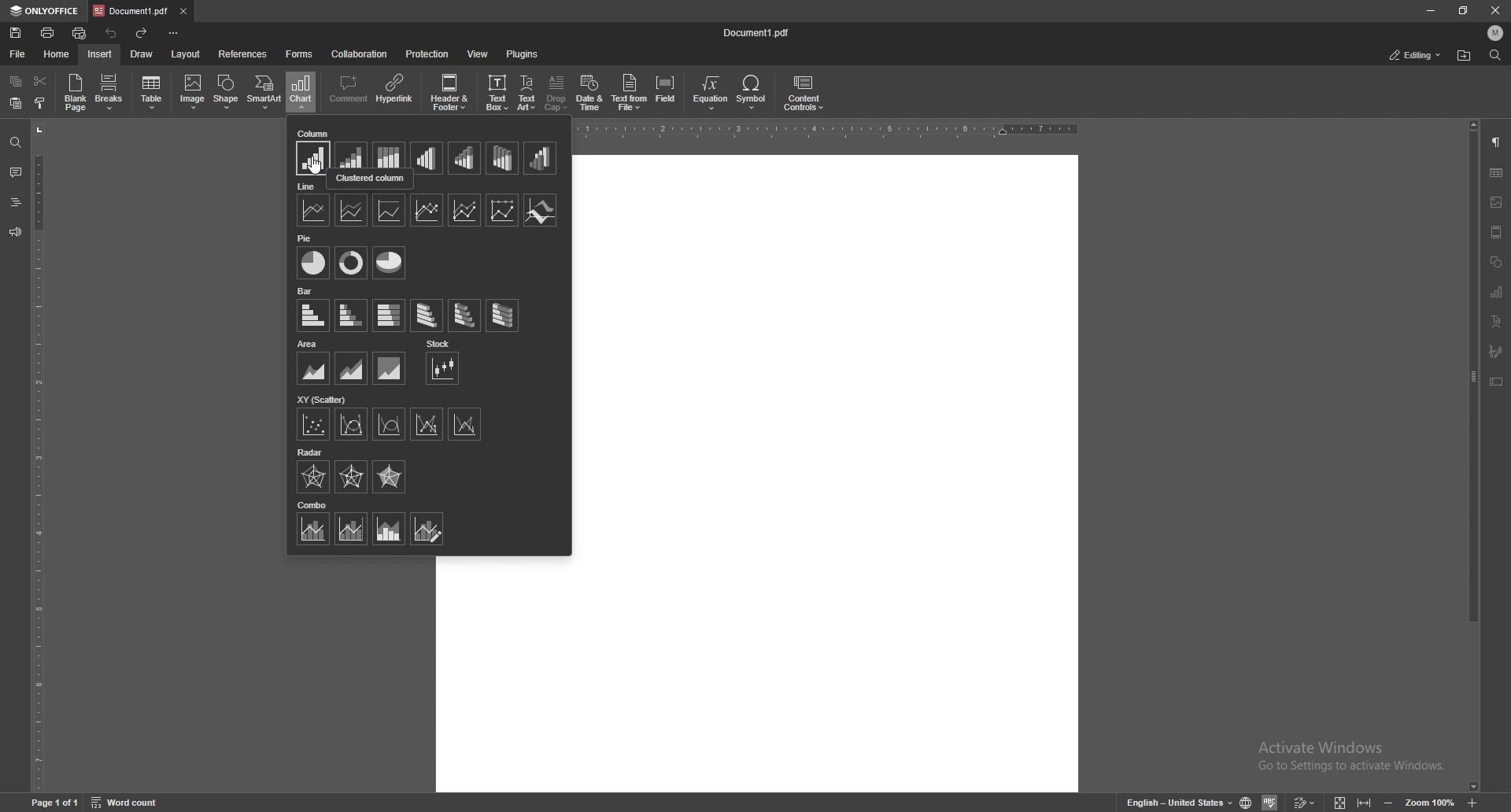  What do you see at coordinates (753, 93) in the screenshot?
I see `symbol` at bounding box center [753, 93].